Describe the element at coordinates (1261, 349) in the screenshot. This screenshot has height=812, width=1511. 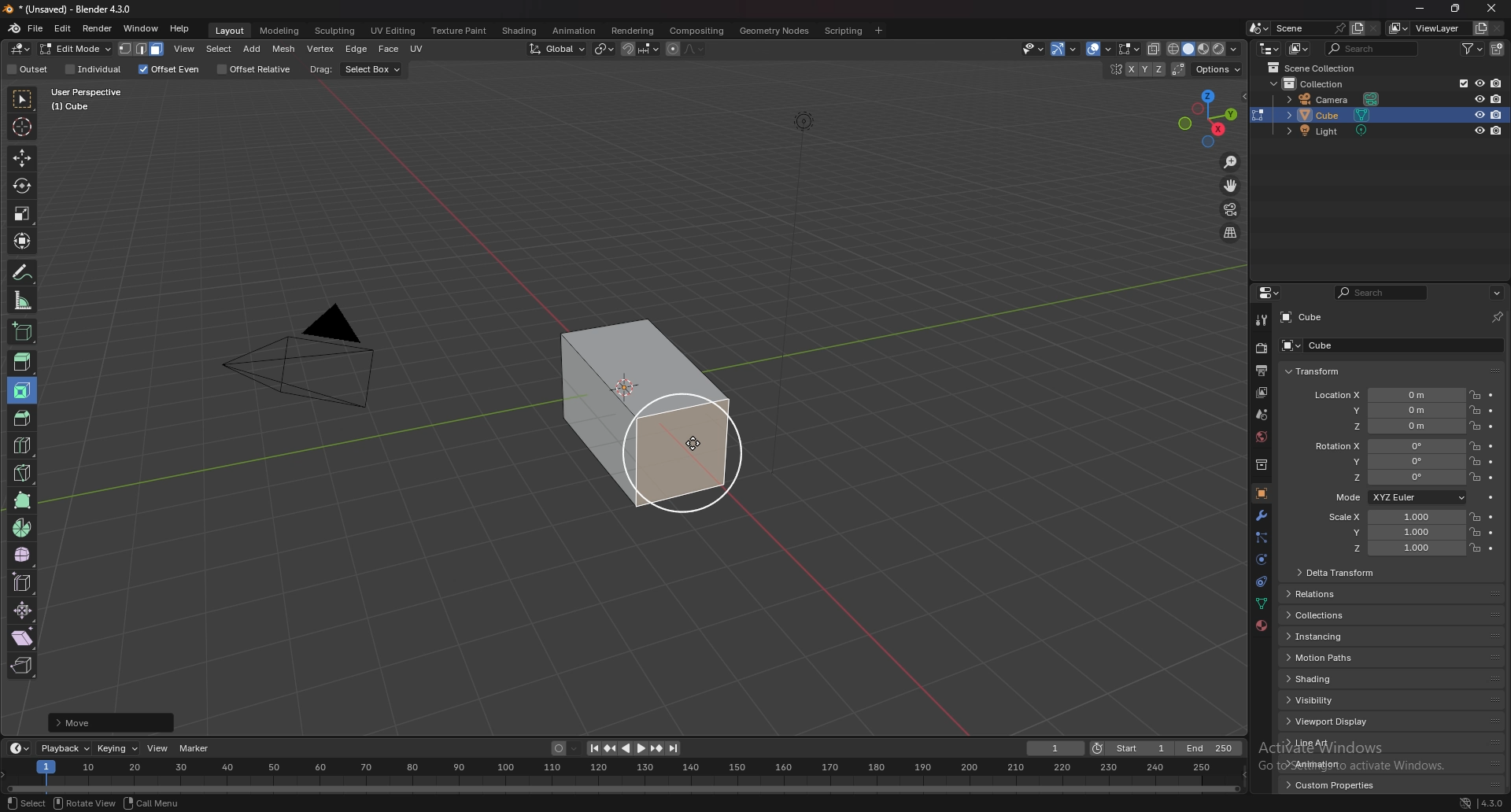
I see `render` at that location.